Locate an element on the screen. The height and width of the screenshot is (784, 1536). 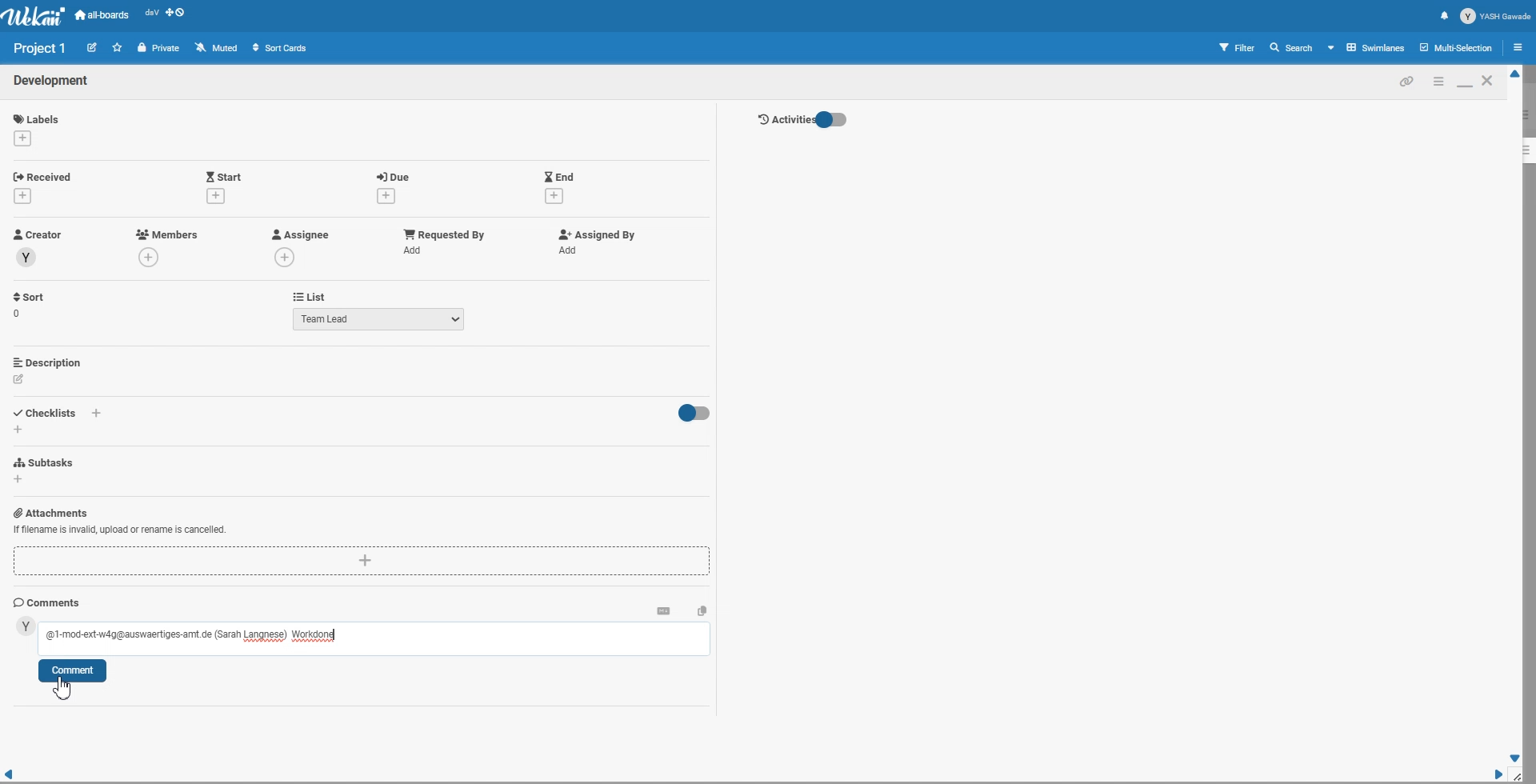
Add Members is located at coordinates (168, 234).